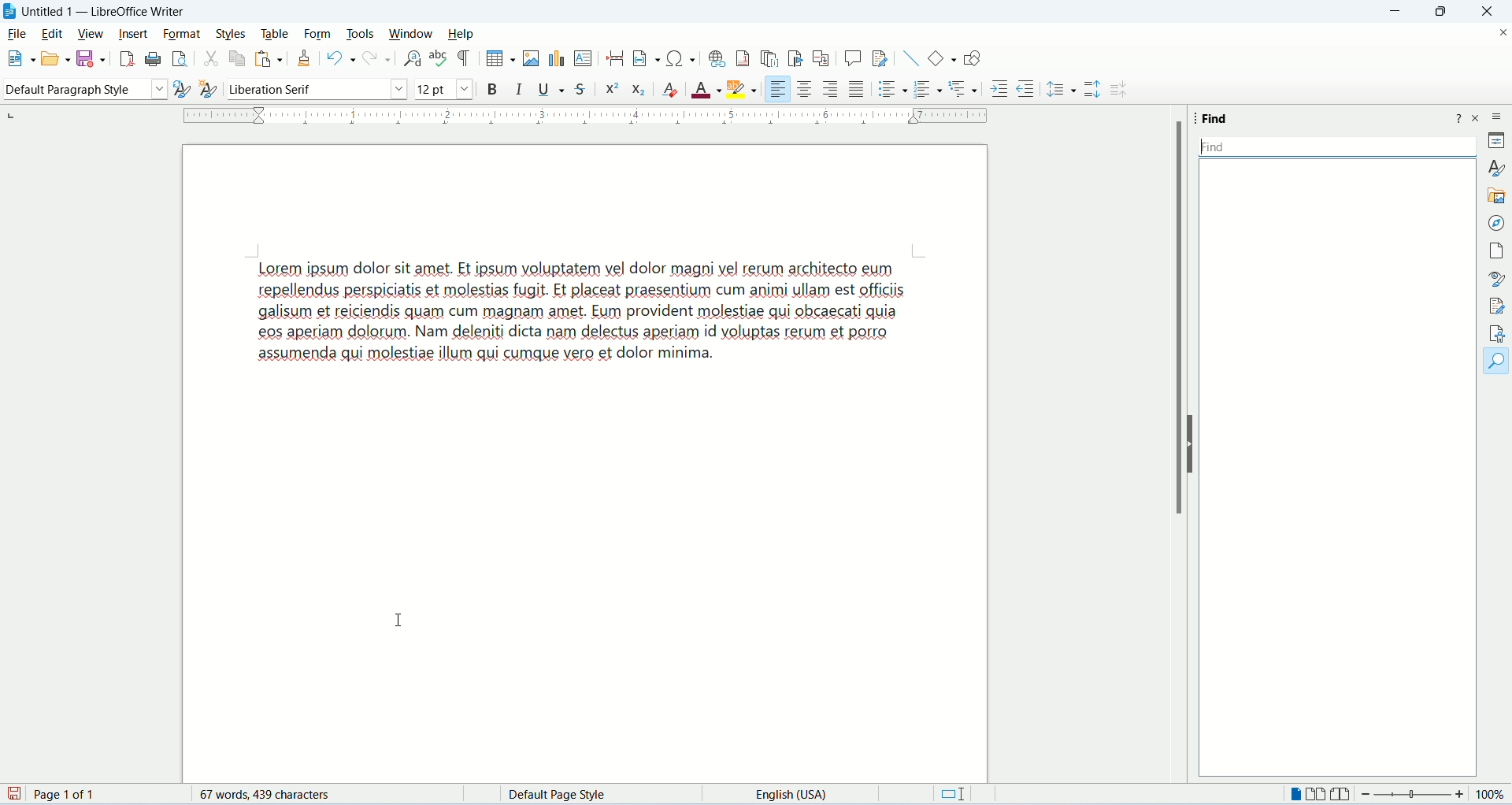 This screenshot has width=1512, height=805. I want to click on select new style, so click(207, 87).